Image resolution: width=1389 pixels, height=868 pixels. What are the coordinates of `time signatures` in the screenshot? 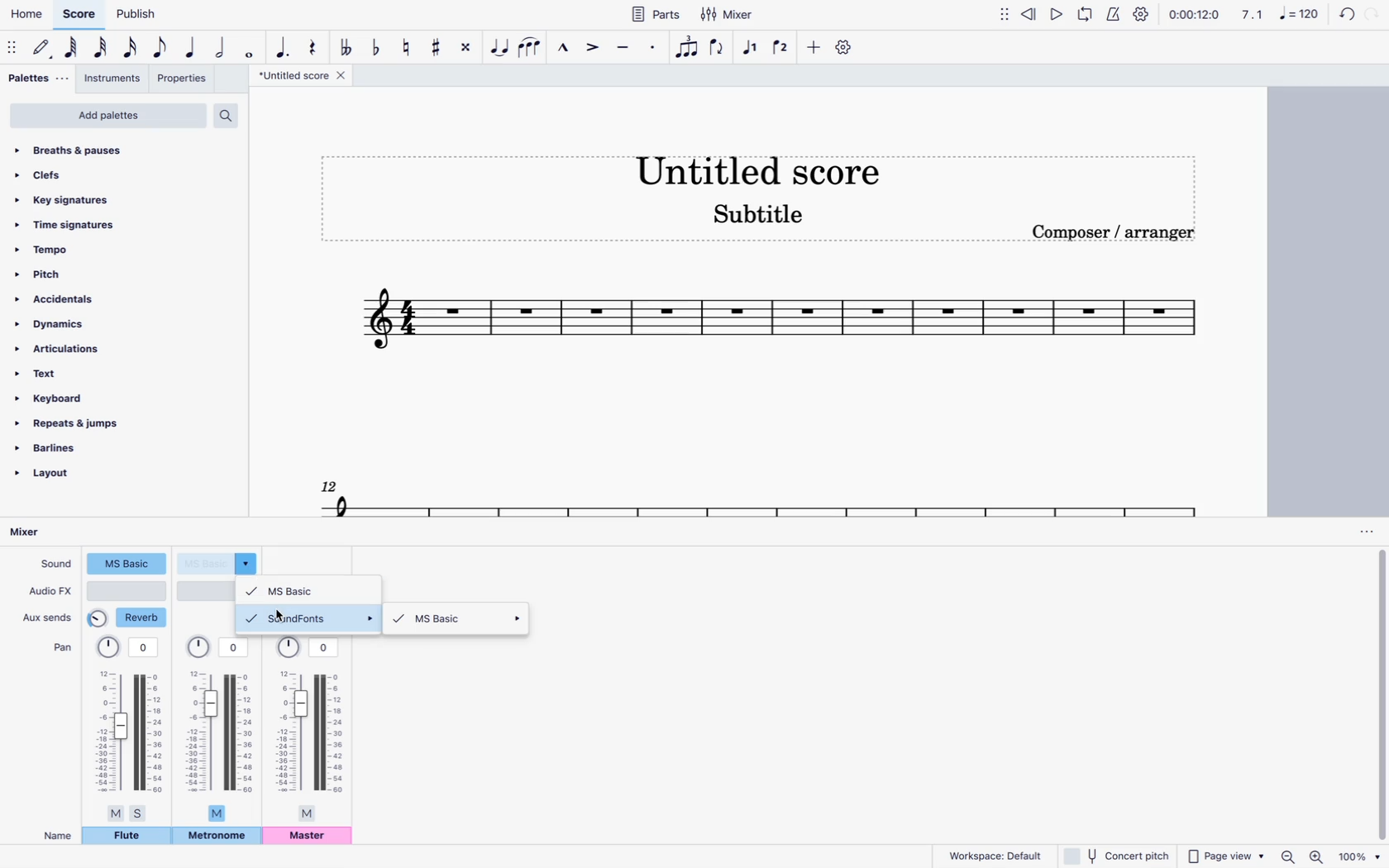 It's located at (103, 222).